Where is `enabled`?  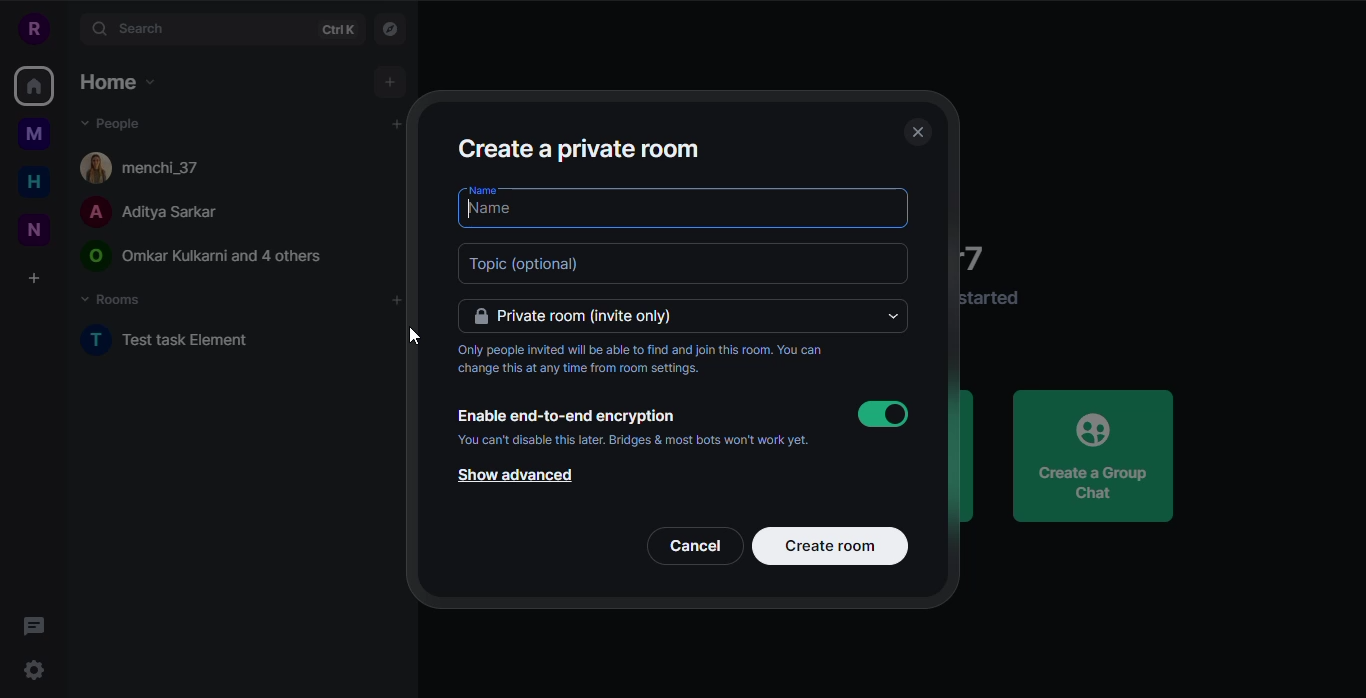 enabled is located at coordinates (883, 414).